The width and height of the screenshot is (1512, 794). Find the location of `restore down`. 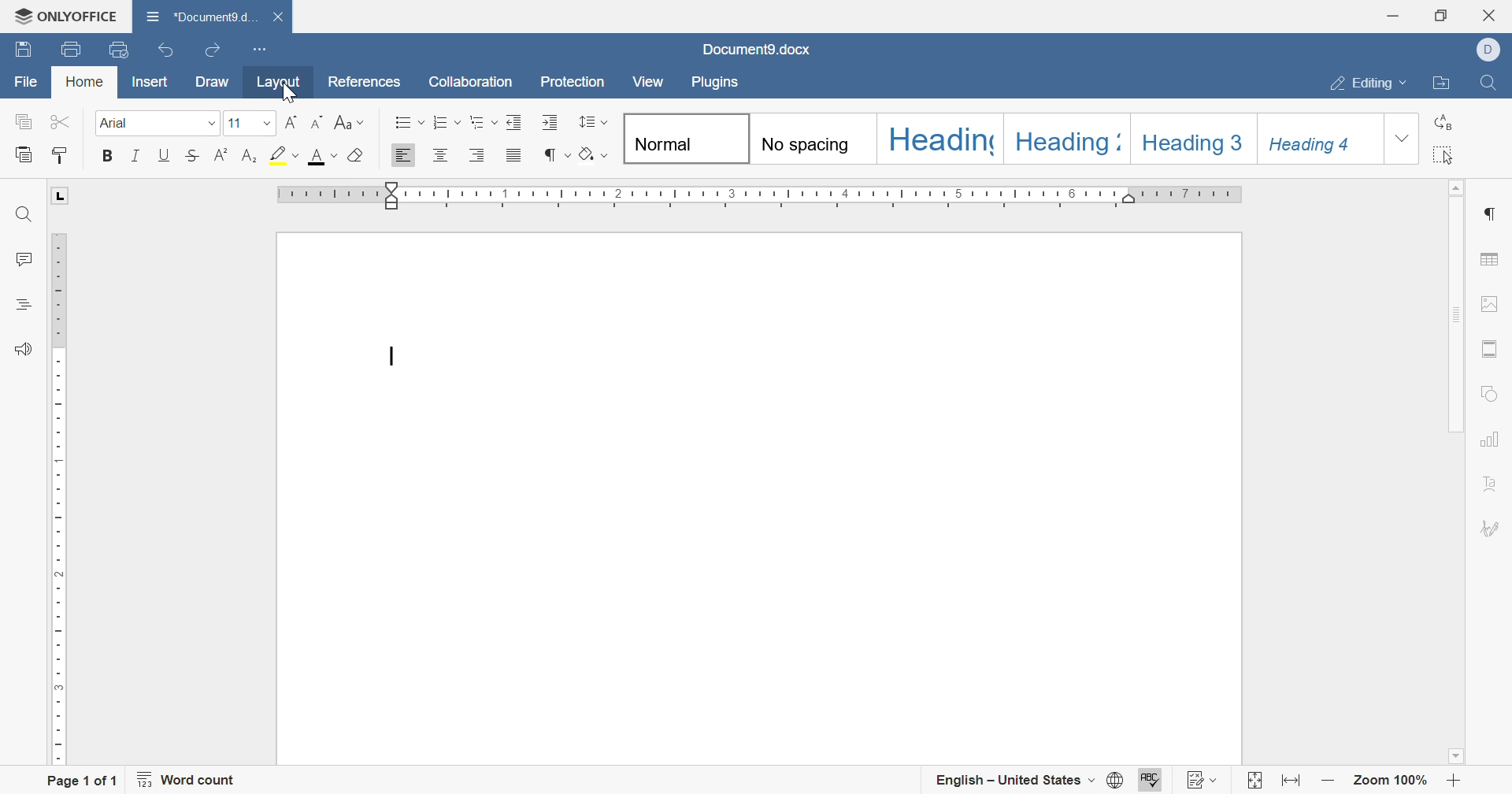

restore down is located at coordinates (1446, 15).